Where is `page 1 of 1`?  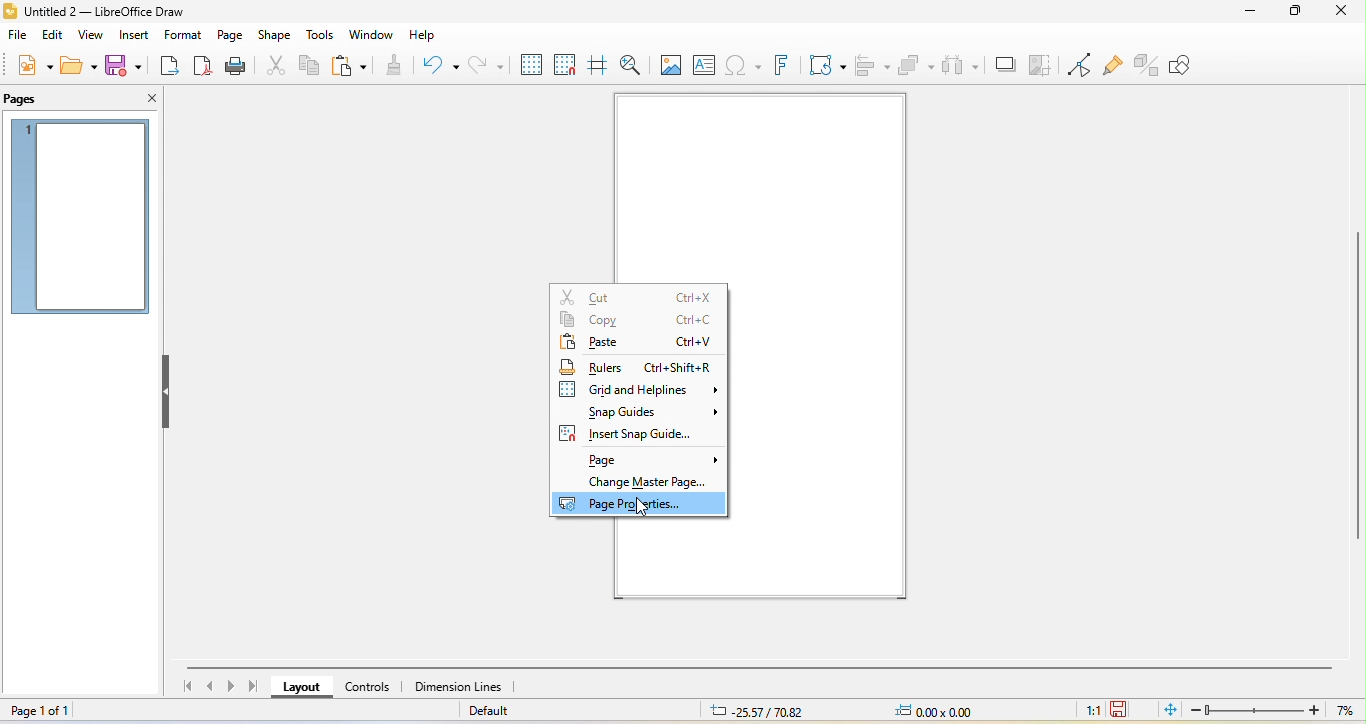
page 1 of 1 is located at coordinates (50, 711).